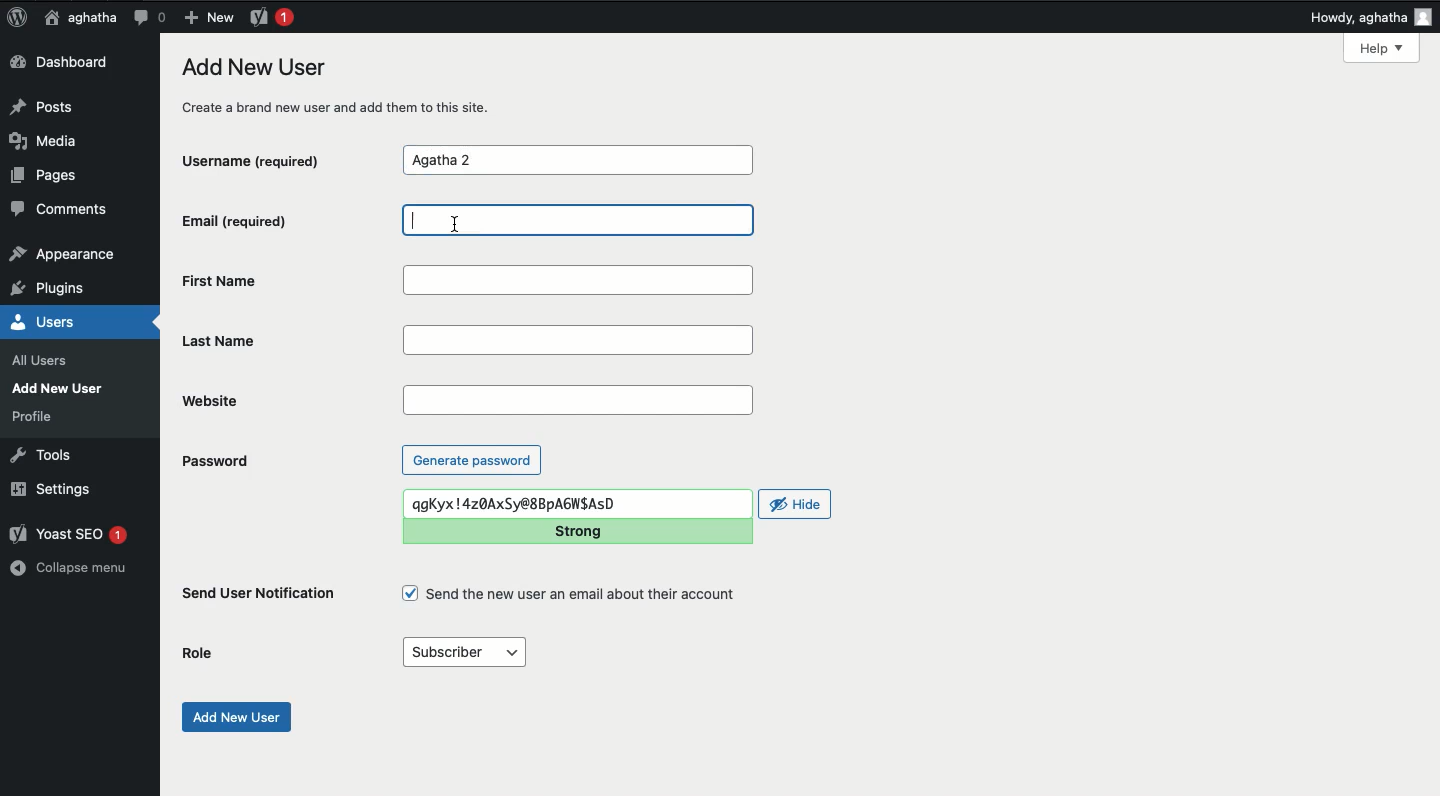 This screenshot has height=796, width=1440. What do you see at coordinates (149, 17) in the screenshot?
I see `Comment` at bounding box center [149, 17].